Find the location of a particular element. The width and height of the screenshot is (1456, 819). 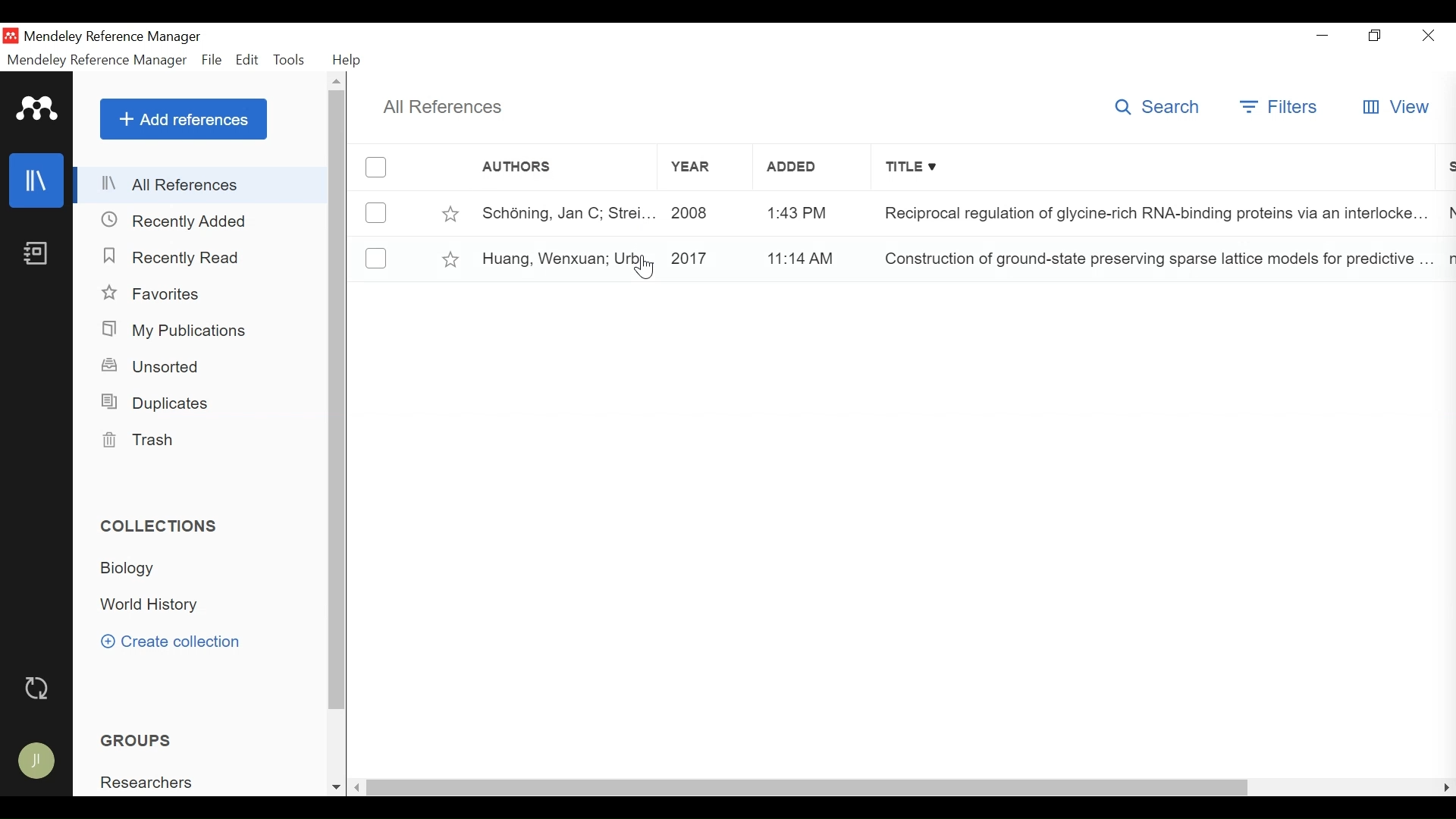

Duplicates is located at coordinates (153, 403).